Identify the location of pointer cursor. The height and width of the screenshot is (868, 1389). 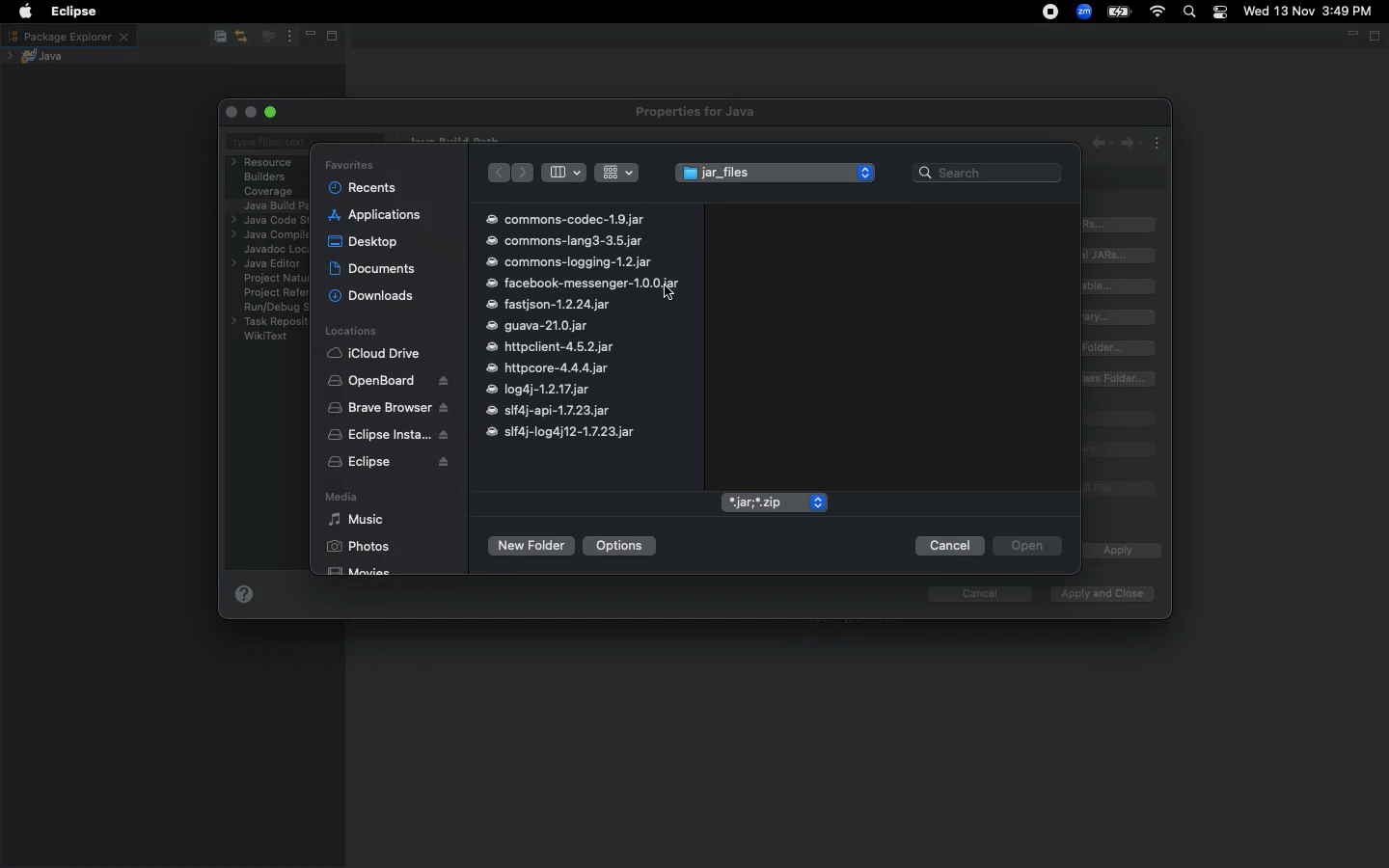
(666, 294).